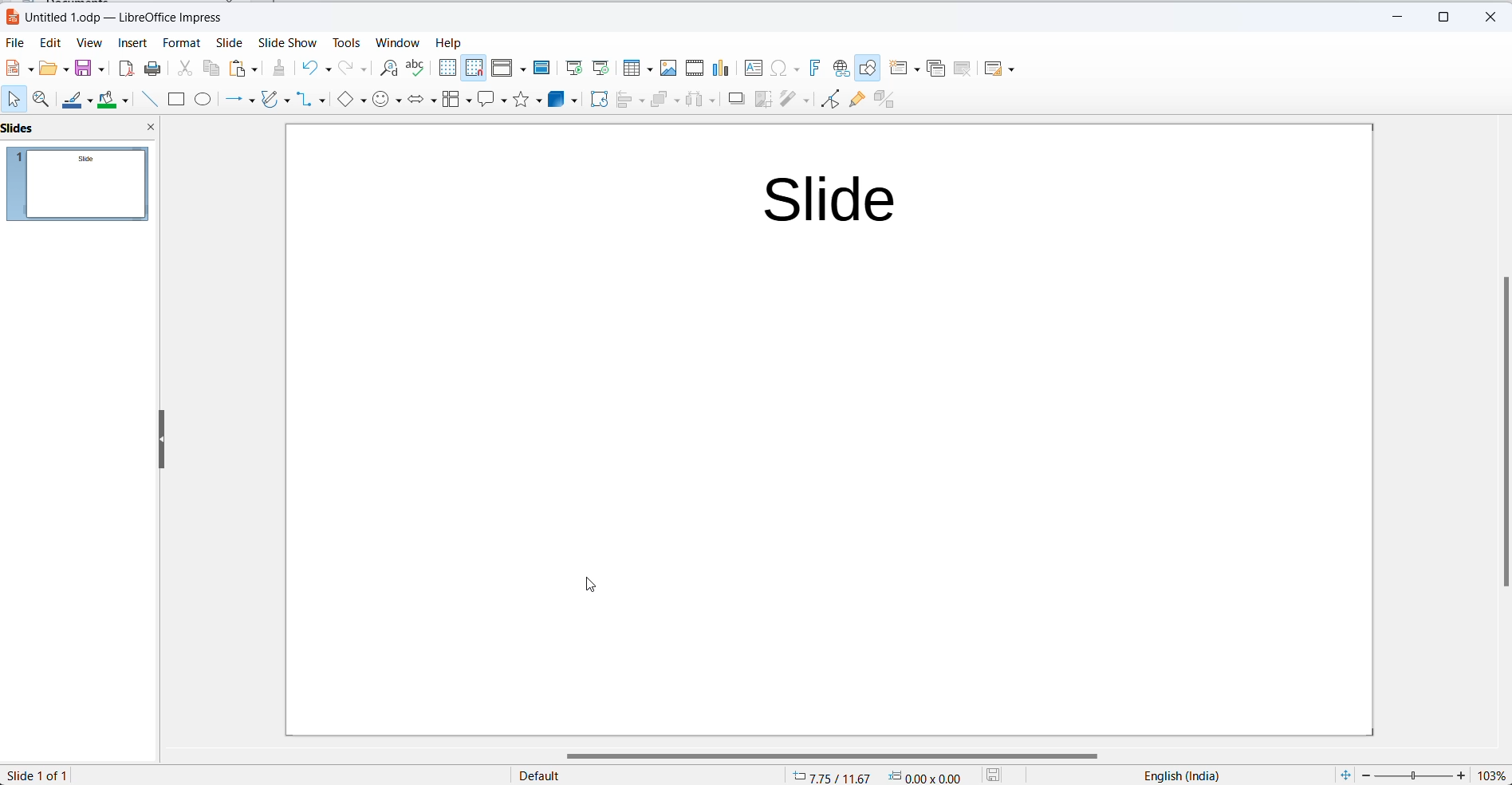 The height and width of the screenshot is (785, 1512). I want to click on ellipse, so click(203, 99).